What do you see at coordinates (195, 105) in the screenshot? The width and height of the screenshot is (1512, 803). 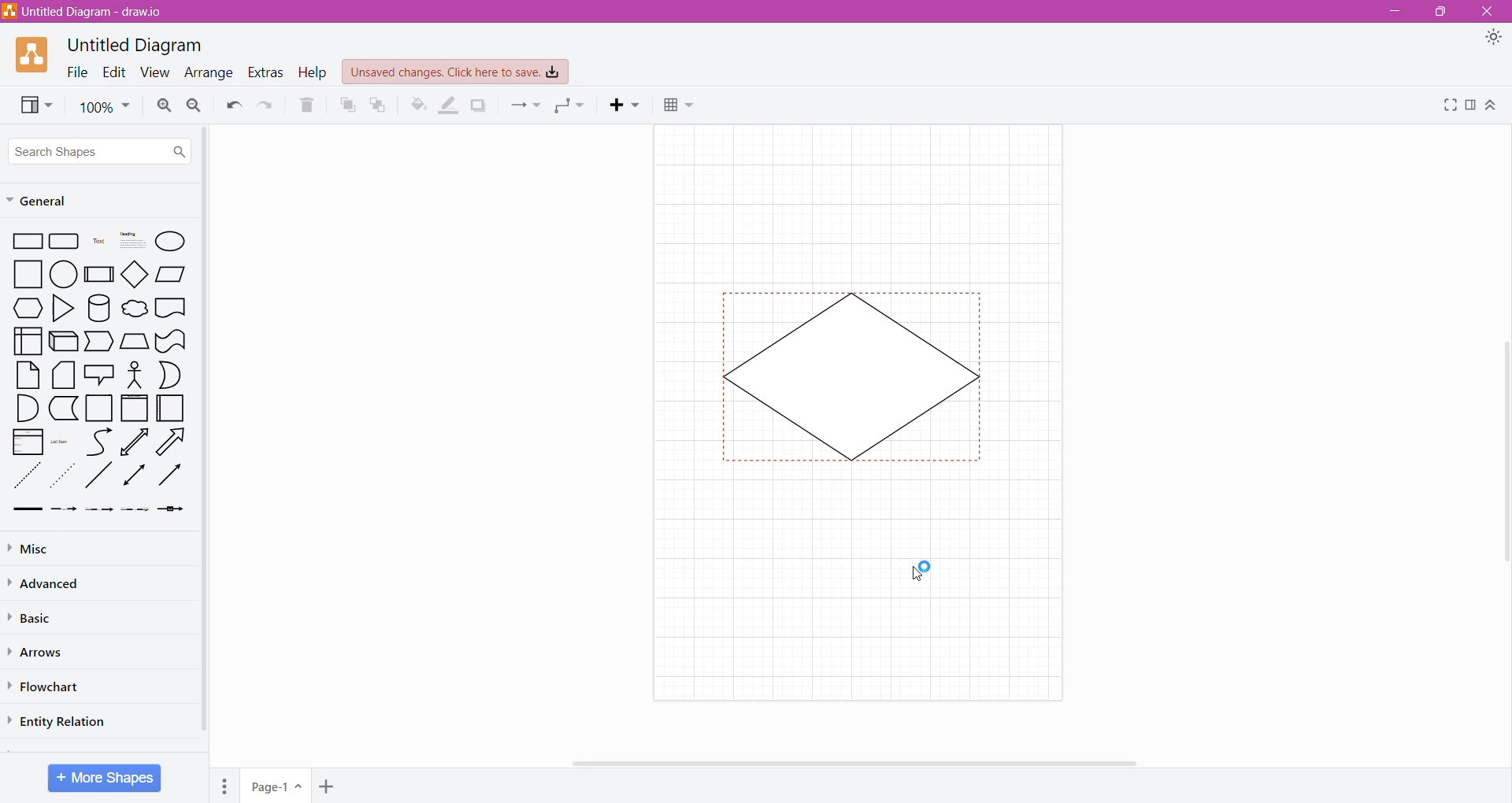 I see `Zoom Out` at bounding box center [195, 105].